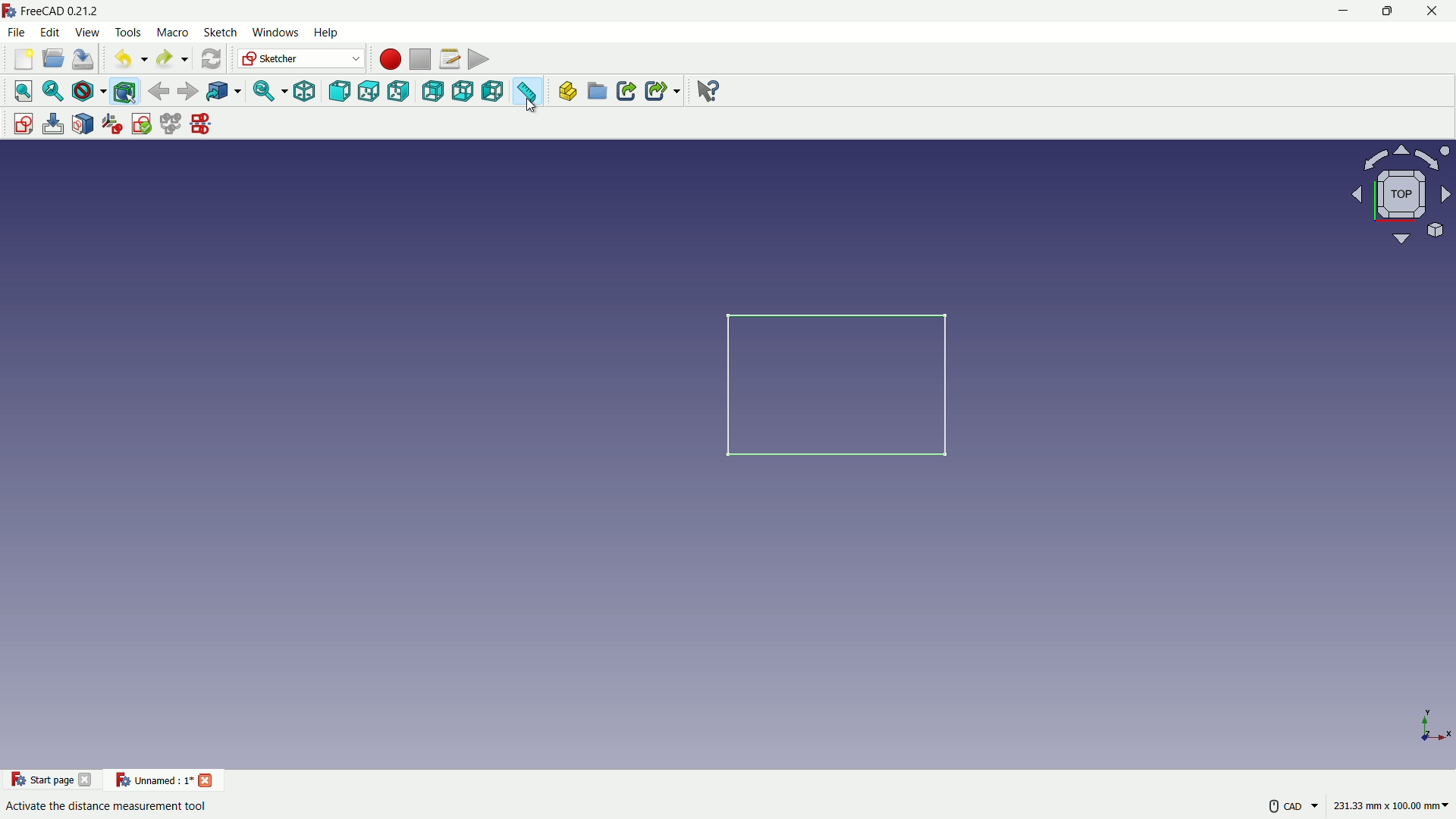 This screenshot has height=819, width=1456. What do you see at coordinates (21, 62) in the screenshot?
I see `new file` at bounding box center [21, 62].